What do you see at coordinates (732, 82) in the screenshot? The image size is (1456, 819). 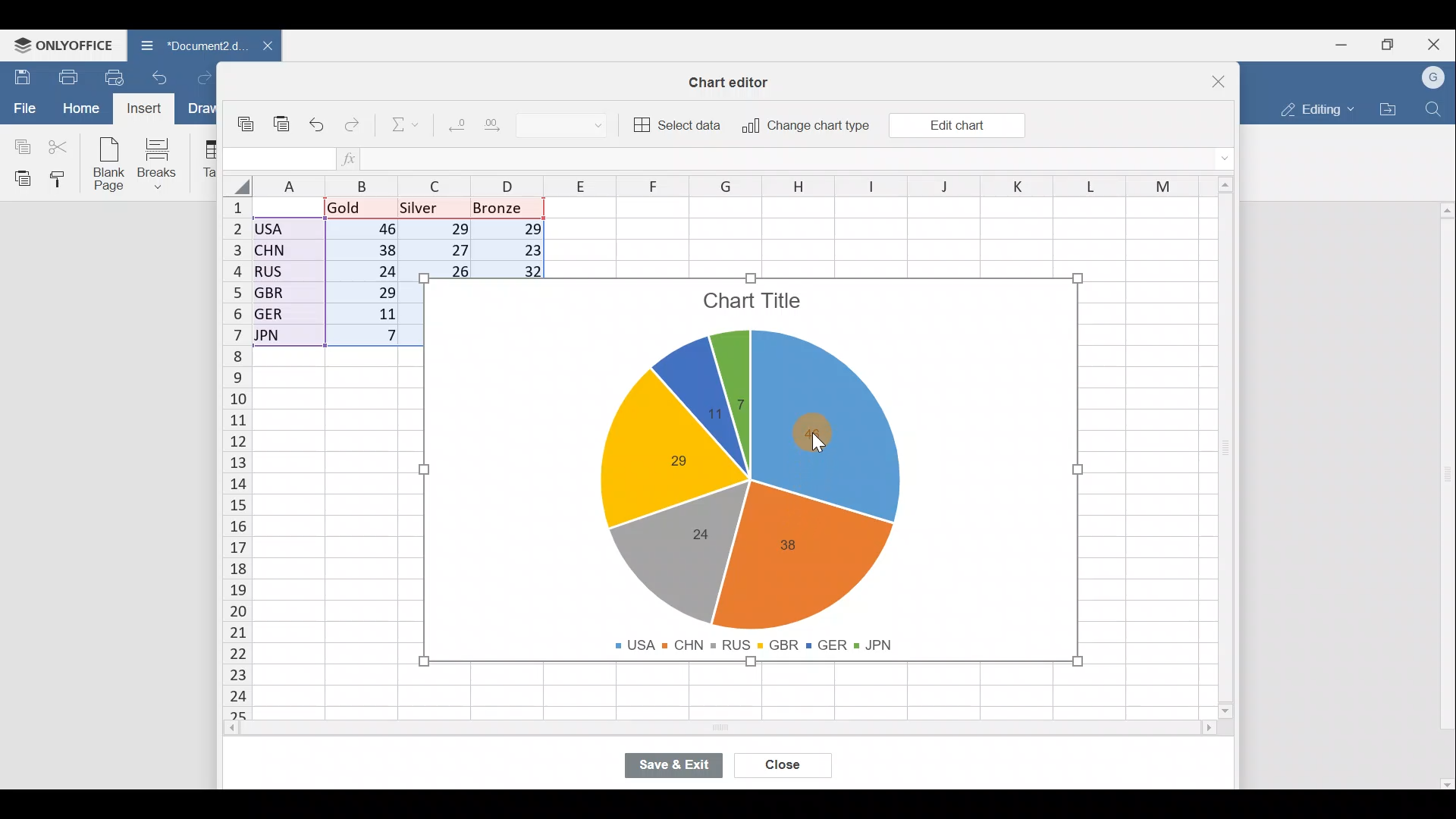 I see `Chart editor` at bounding box center [732, 82].